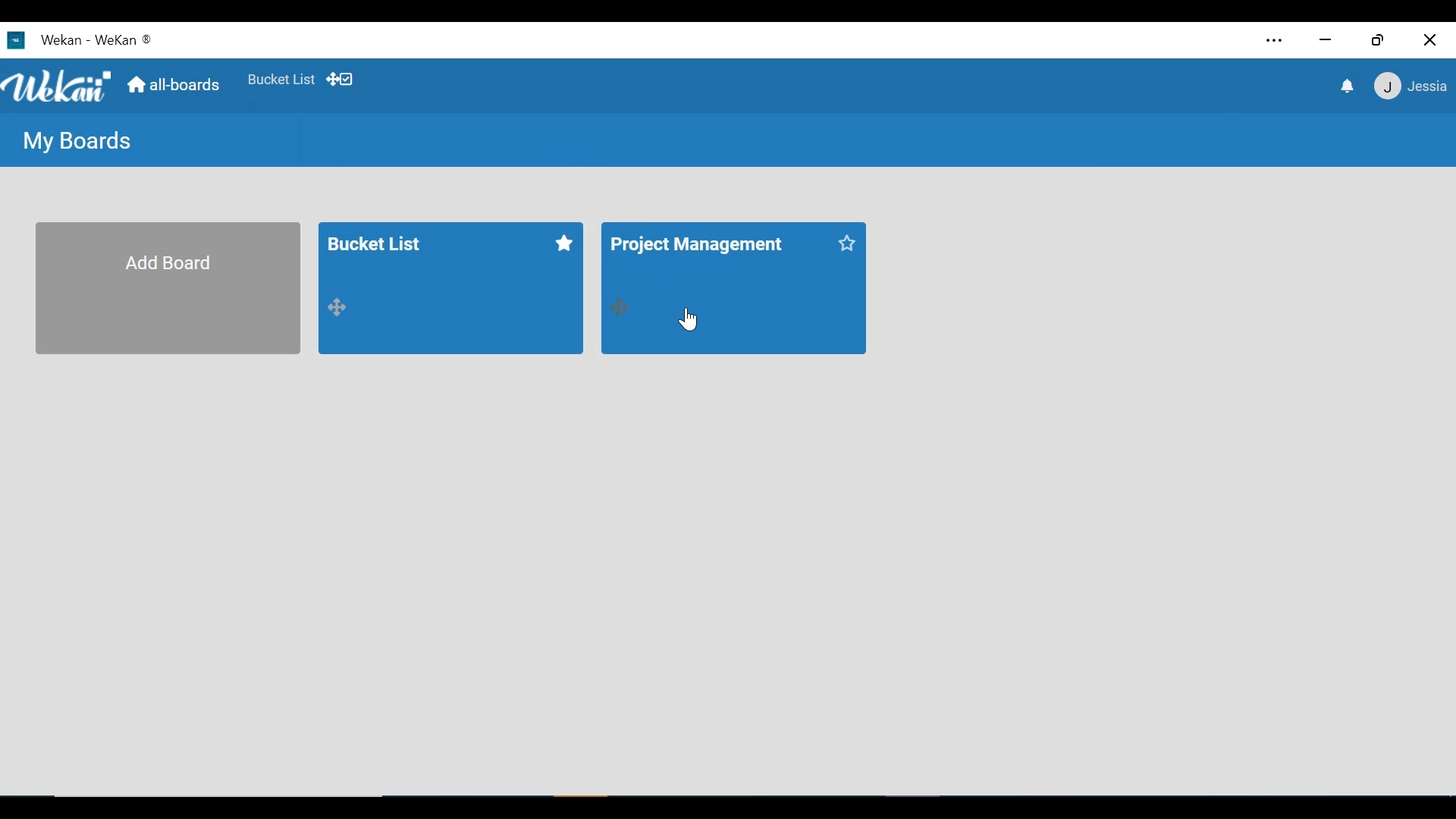  I want to click on jessia, so click(1409, 86).